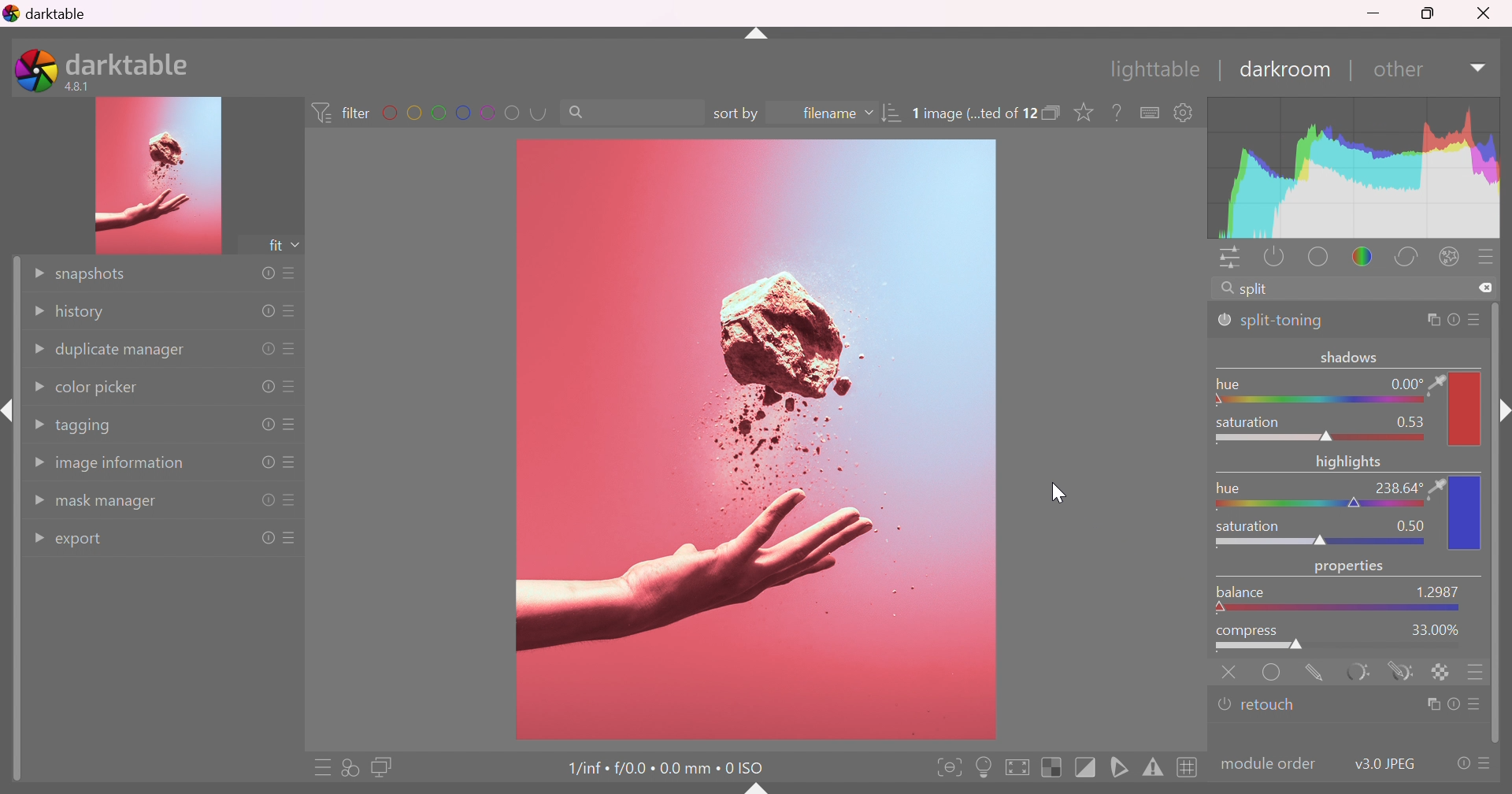 The width and height of the screenshot is (1512, 794). What do you see at coordinates (1325, 438) in the screenshot?
I see `slider` at bounding box center [1325, 438].